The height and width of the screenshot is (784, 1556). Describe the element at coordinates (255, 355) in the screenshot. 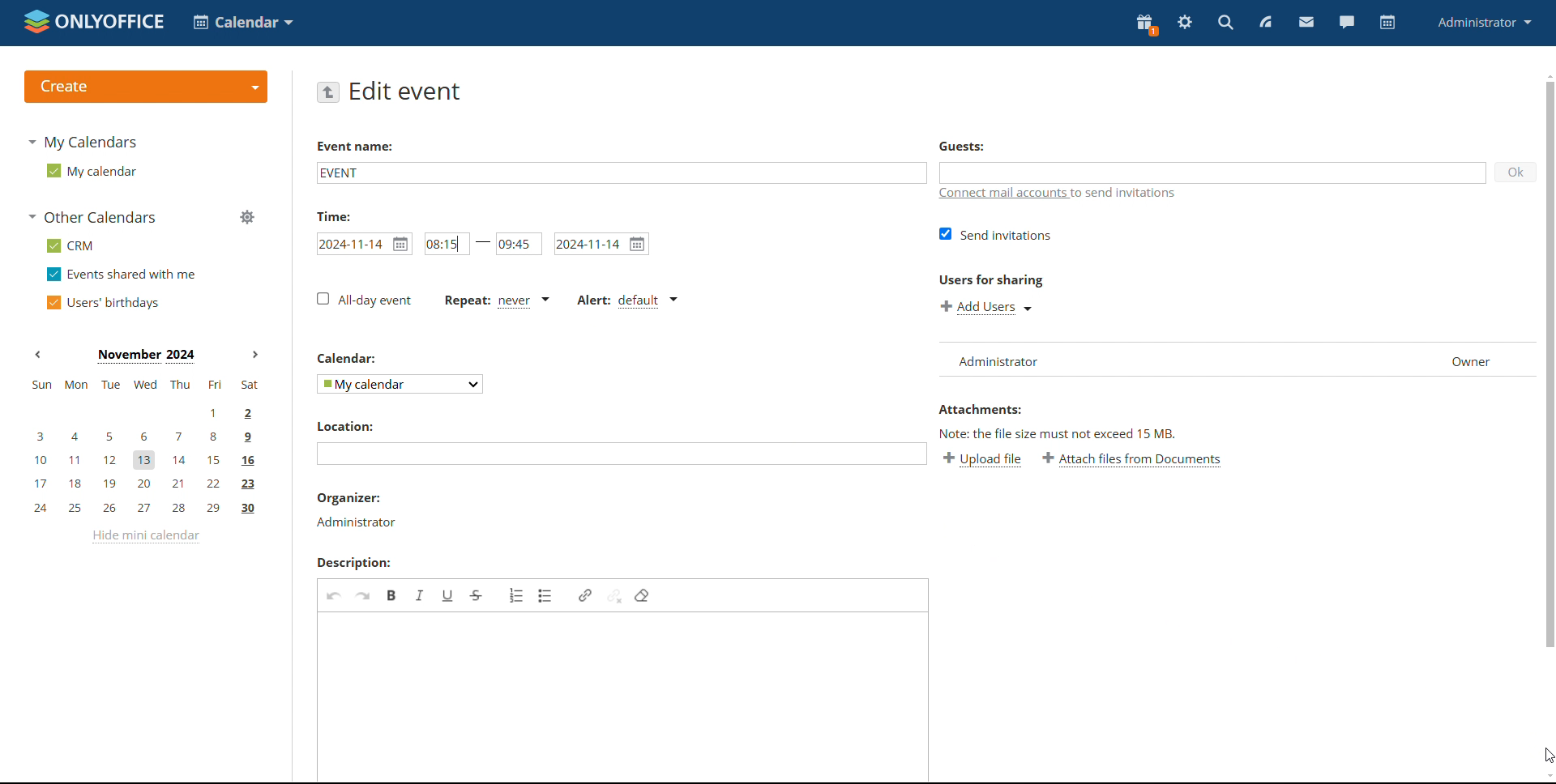

I see `next month` at that location.